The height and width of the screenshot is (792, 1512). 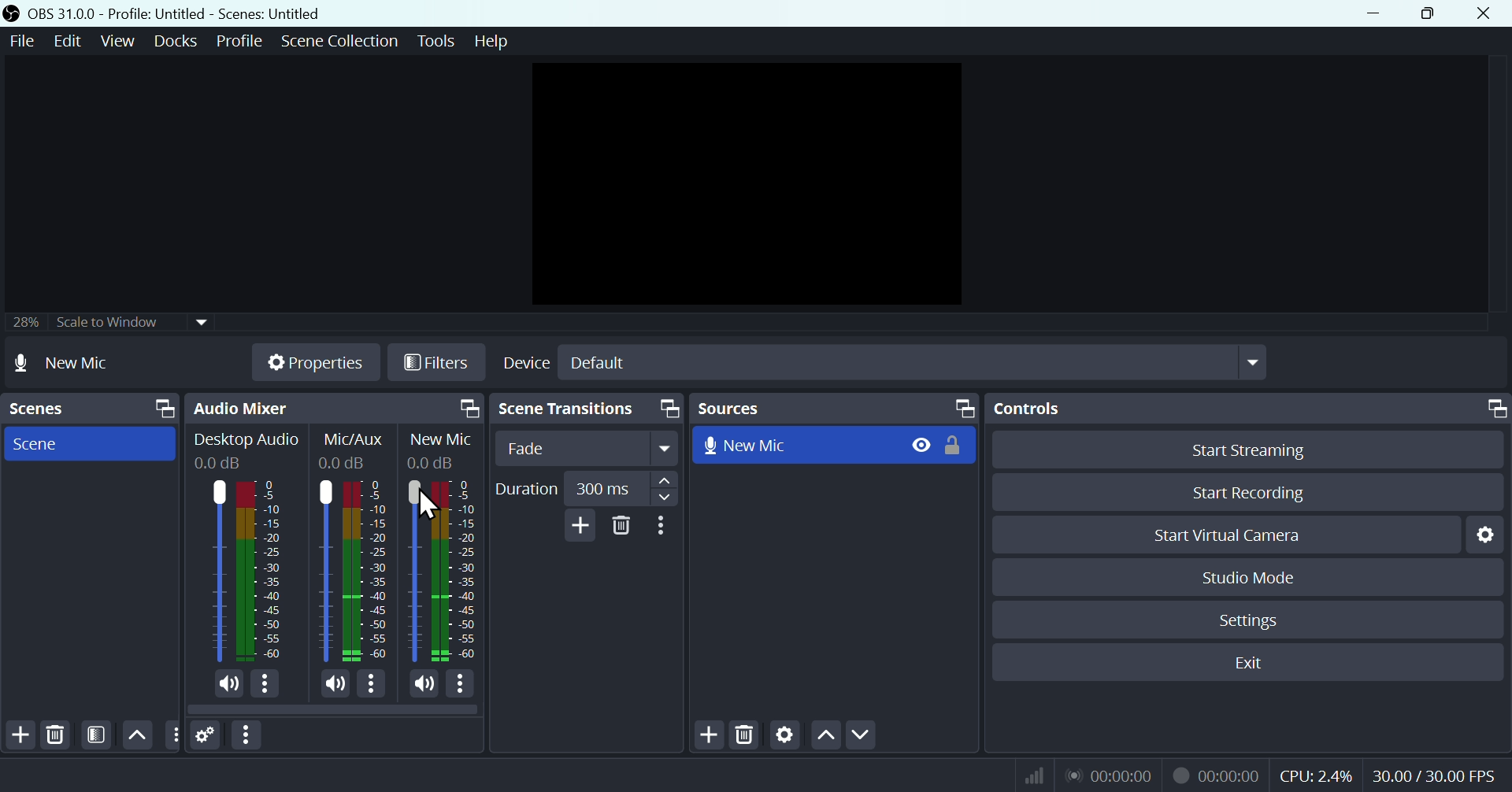 What do you see at coordinates (1217, 775) in the screenshot?
I see `Recording Status` at bounding box center [1217, 775].